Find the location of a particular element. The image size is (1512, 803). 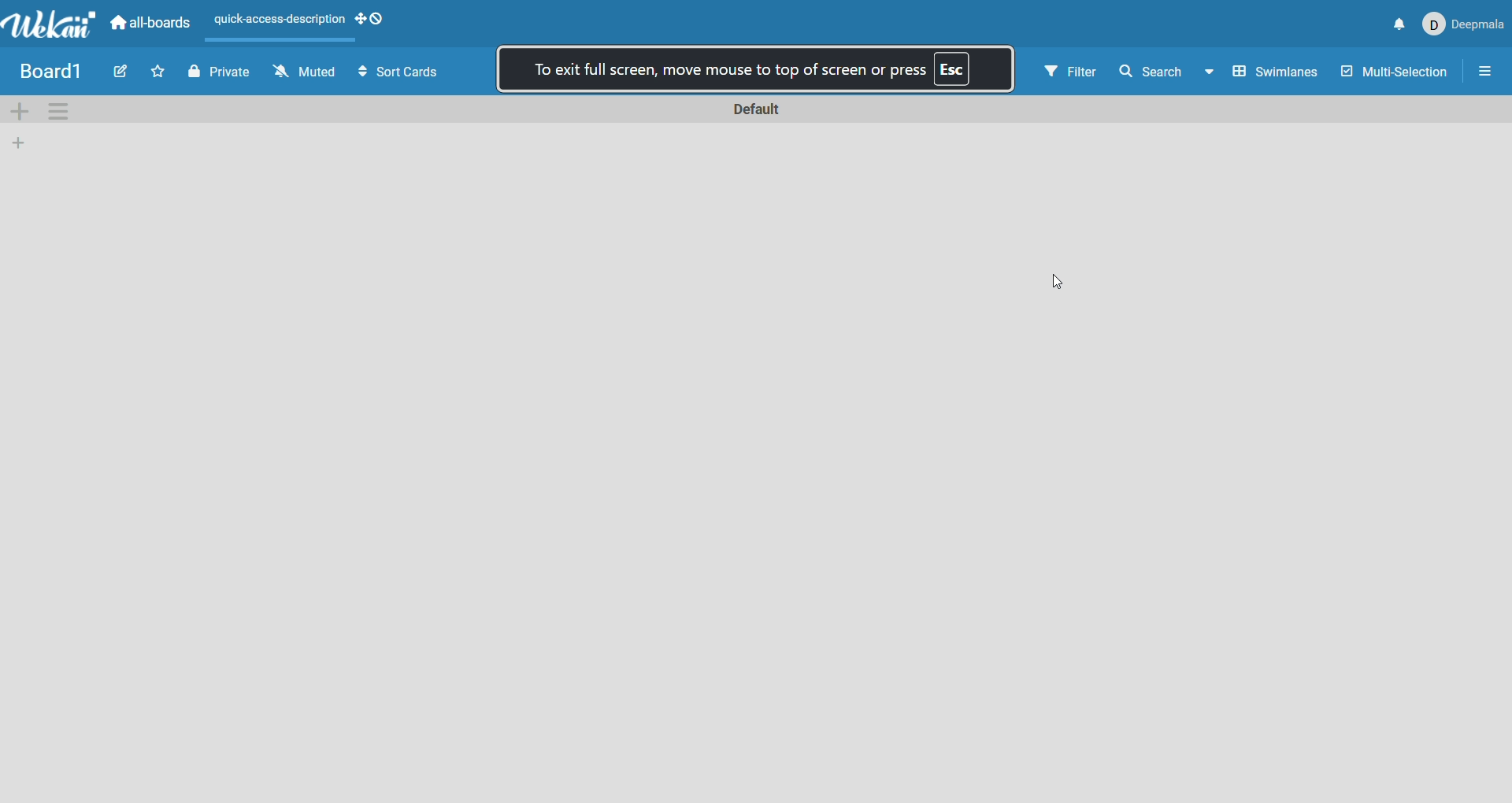

text is located at coordinates (276, 21).